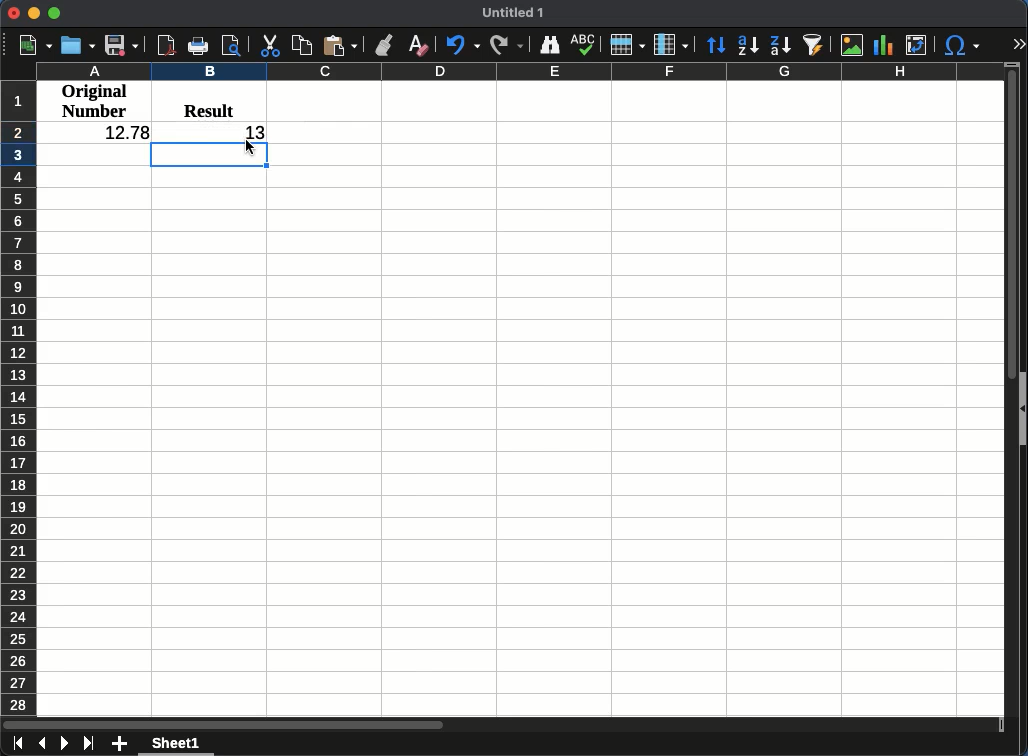 This screenshot has width=1028, height=756. Describe the element at coordinates (385, 44) in the screenshot. I see `clone formatting` at that location.